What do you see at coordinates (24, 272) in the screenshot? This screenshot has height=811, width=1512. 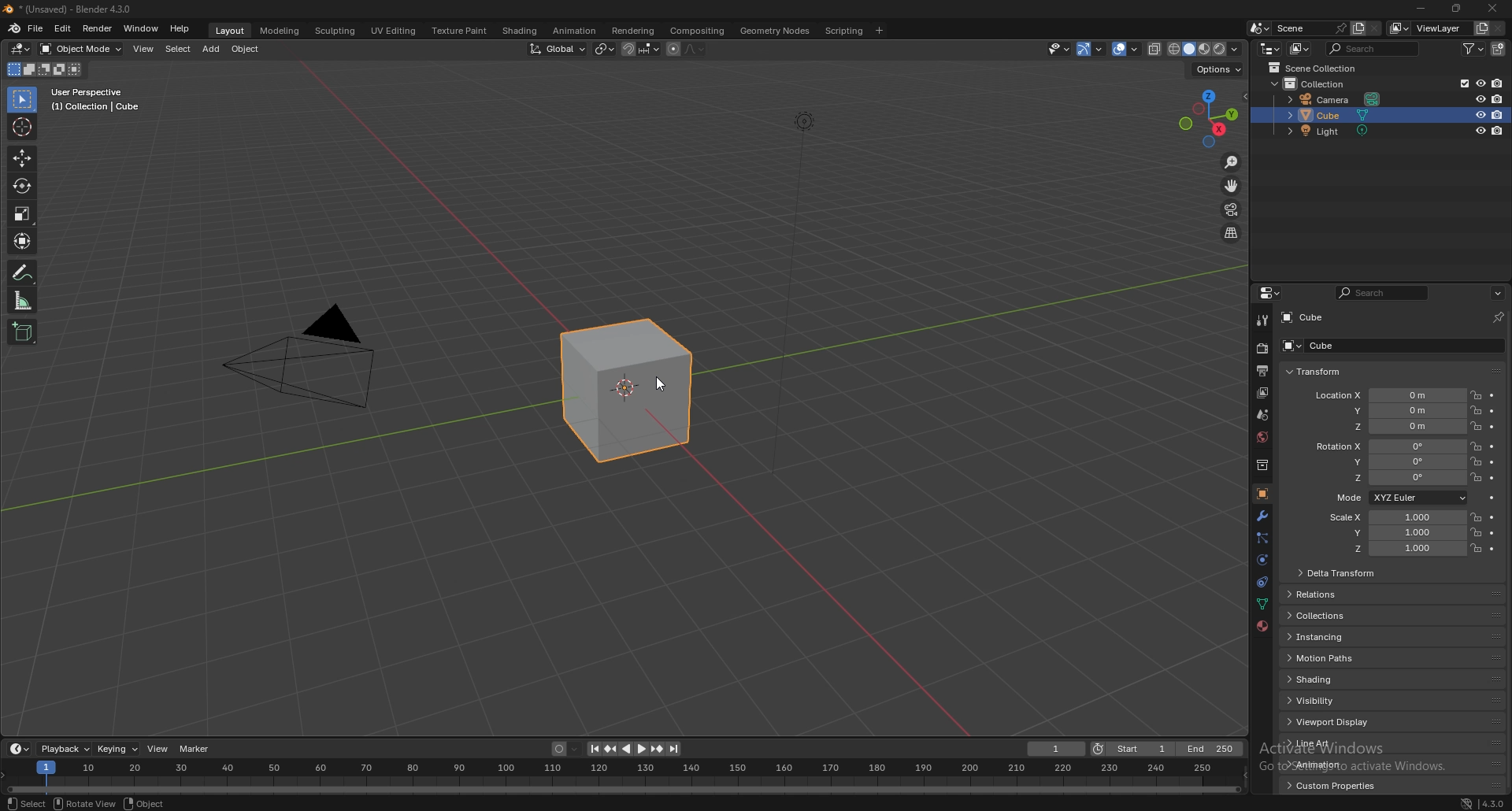 I see `annotate` at bounding box center [24, 272].